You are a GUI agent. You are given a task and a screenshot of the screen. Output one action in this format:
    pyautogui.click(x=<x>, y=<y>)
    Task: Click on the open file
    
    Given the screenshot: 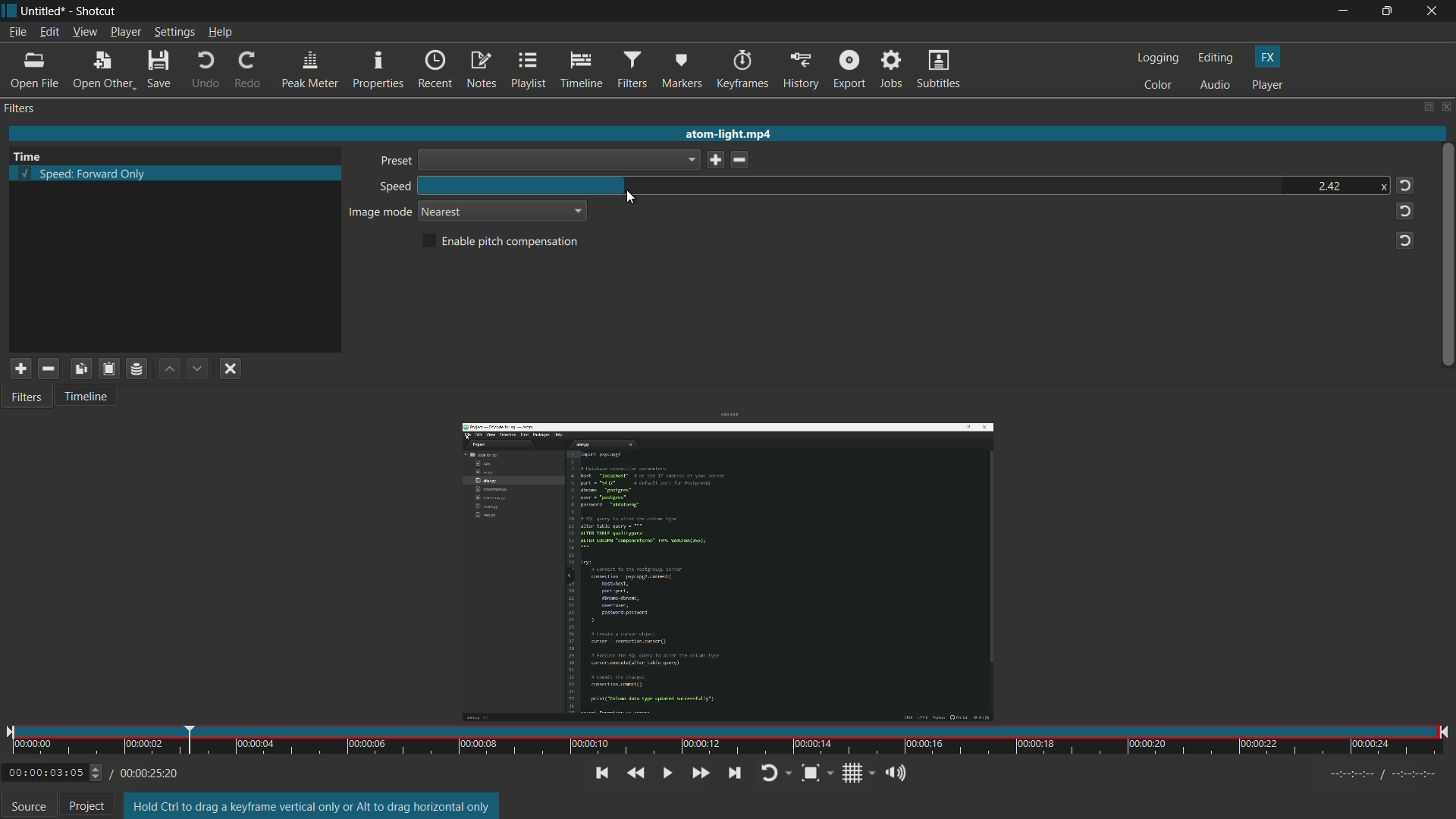 What is the action you would take?
    pyautogui.click(x=34, y=71)
    